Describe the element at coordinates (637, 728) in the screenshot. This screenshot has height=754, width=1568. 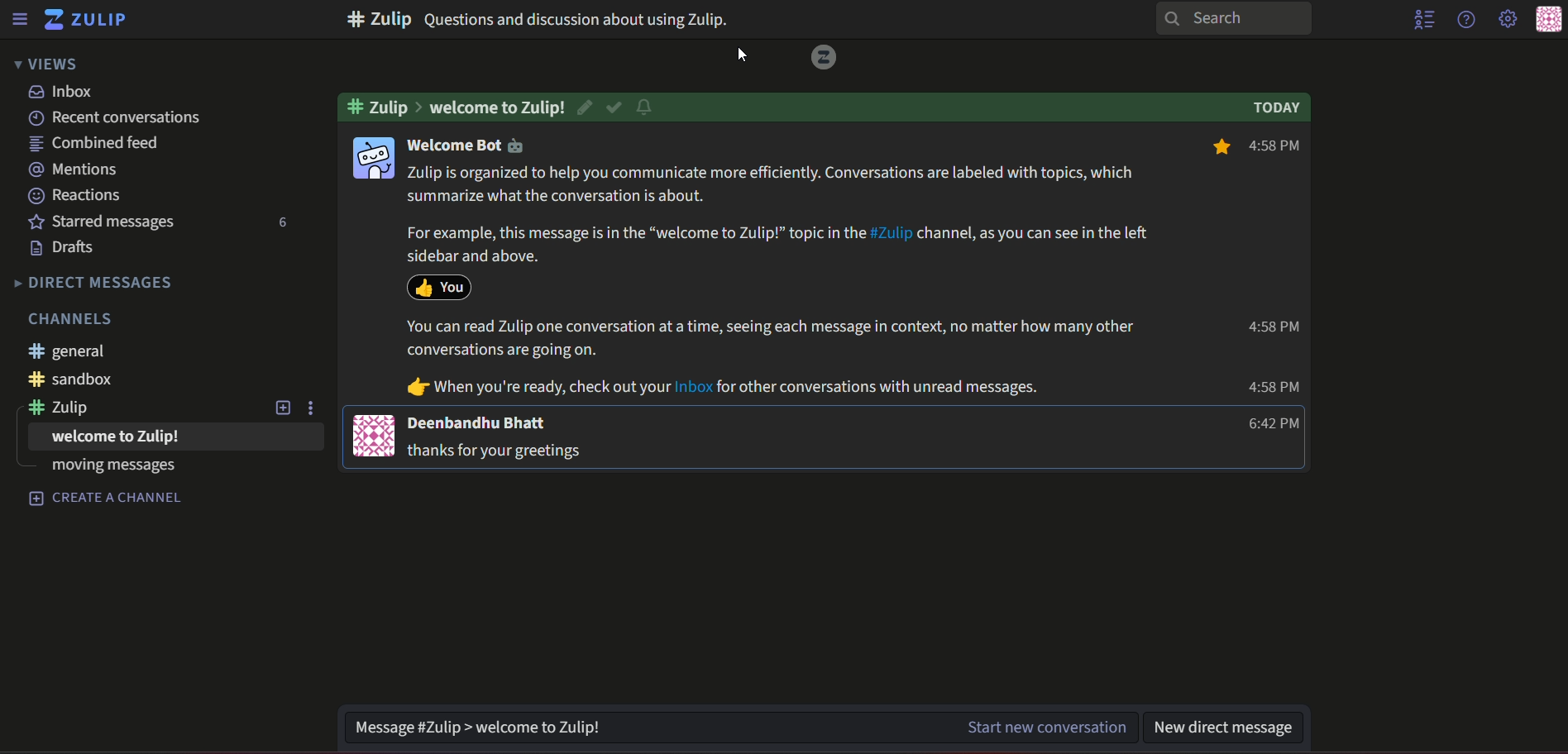
I see `textbox` at that location.